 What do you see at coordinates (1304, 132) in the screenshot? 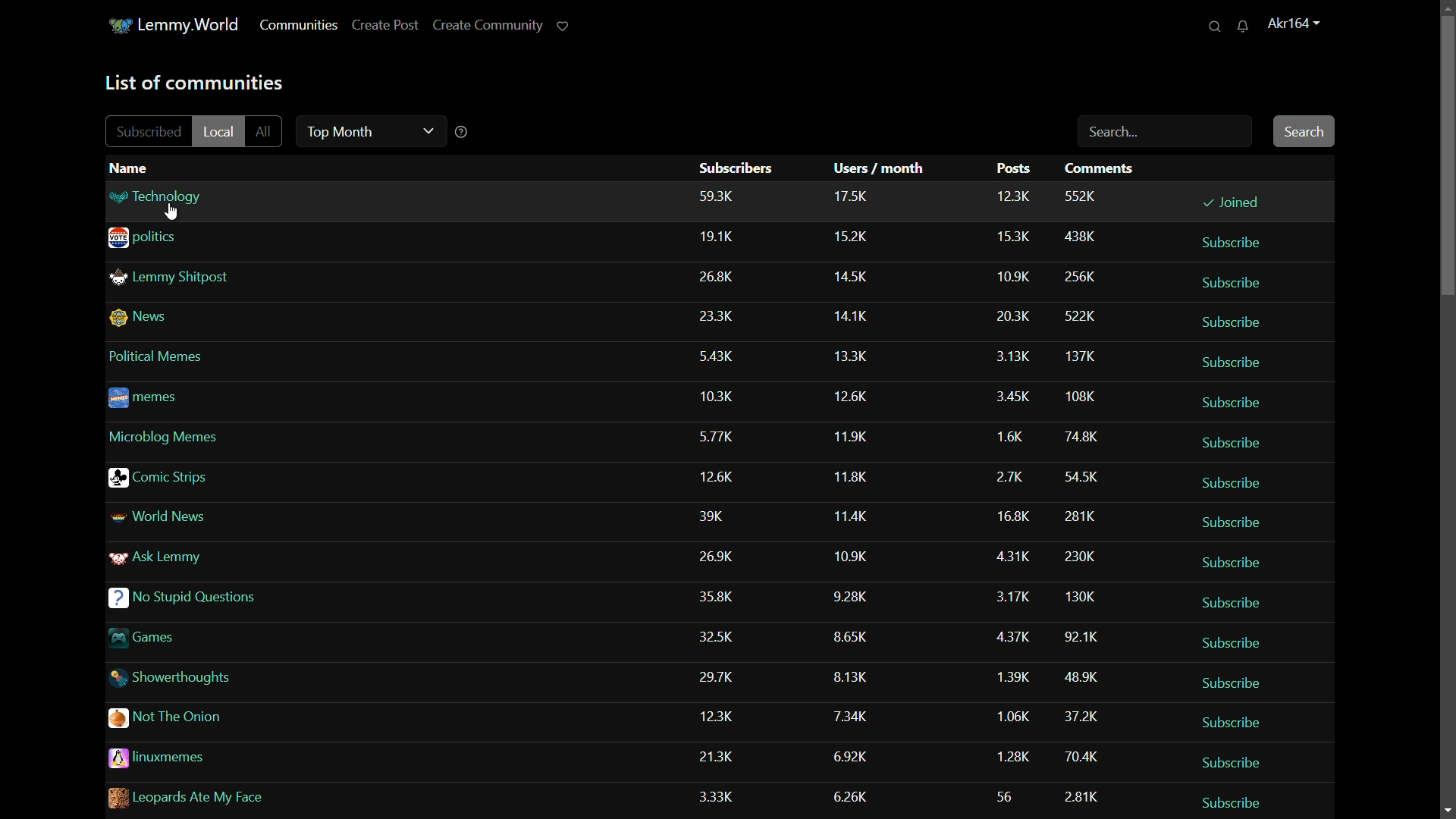
I see `search button` at bounding box center [1304, 132].